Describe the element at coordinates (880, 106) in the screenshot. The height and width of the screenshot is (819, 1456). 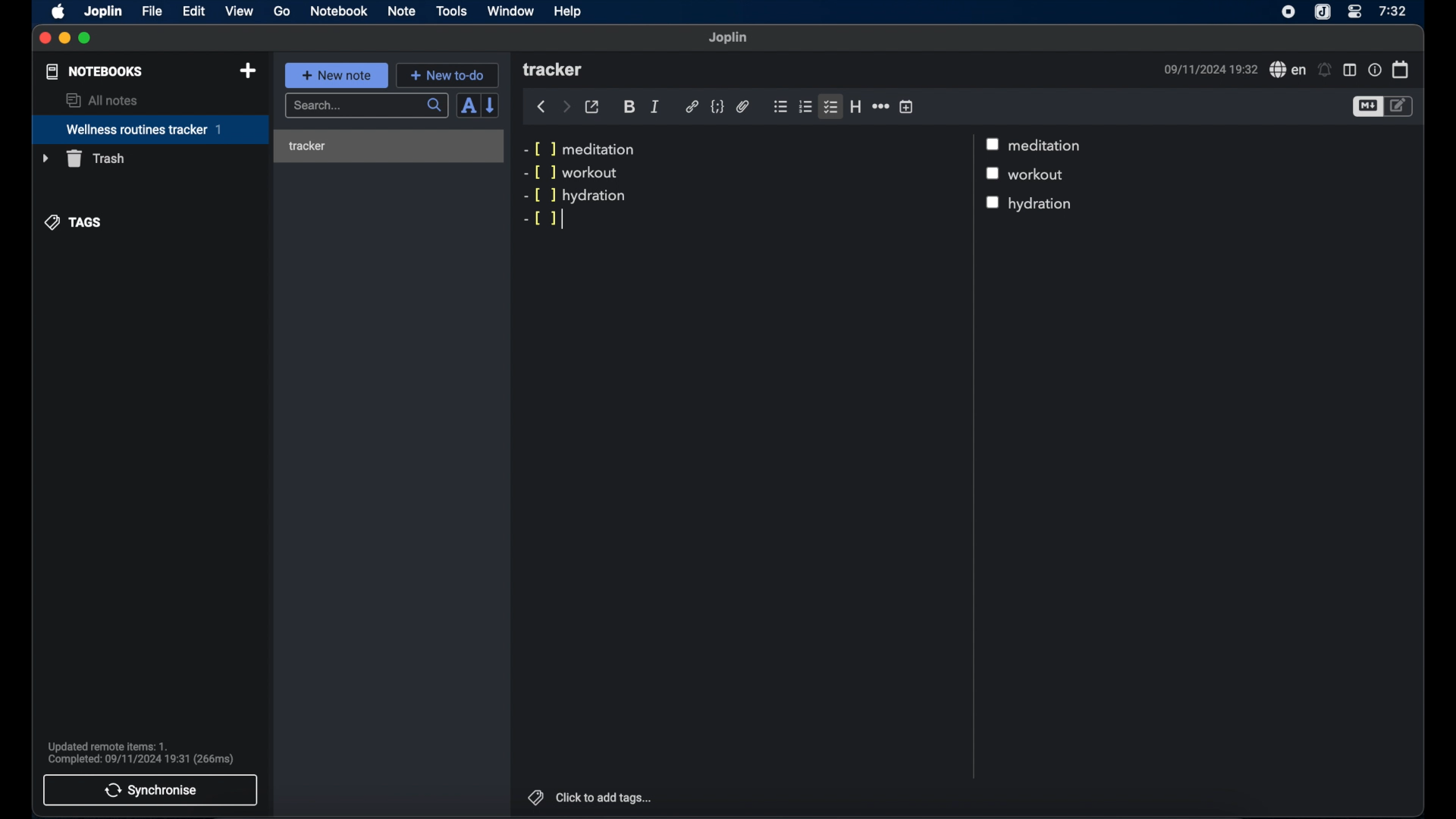
I see `horizontal rule` at that location.